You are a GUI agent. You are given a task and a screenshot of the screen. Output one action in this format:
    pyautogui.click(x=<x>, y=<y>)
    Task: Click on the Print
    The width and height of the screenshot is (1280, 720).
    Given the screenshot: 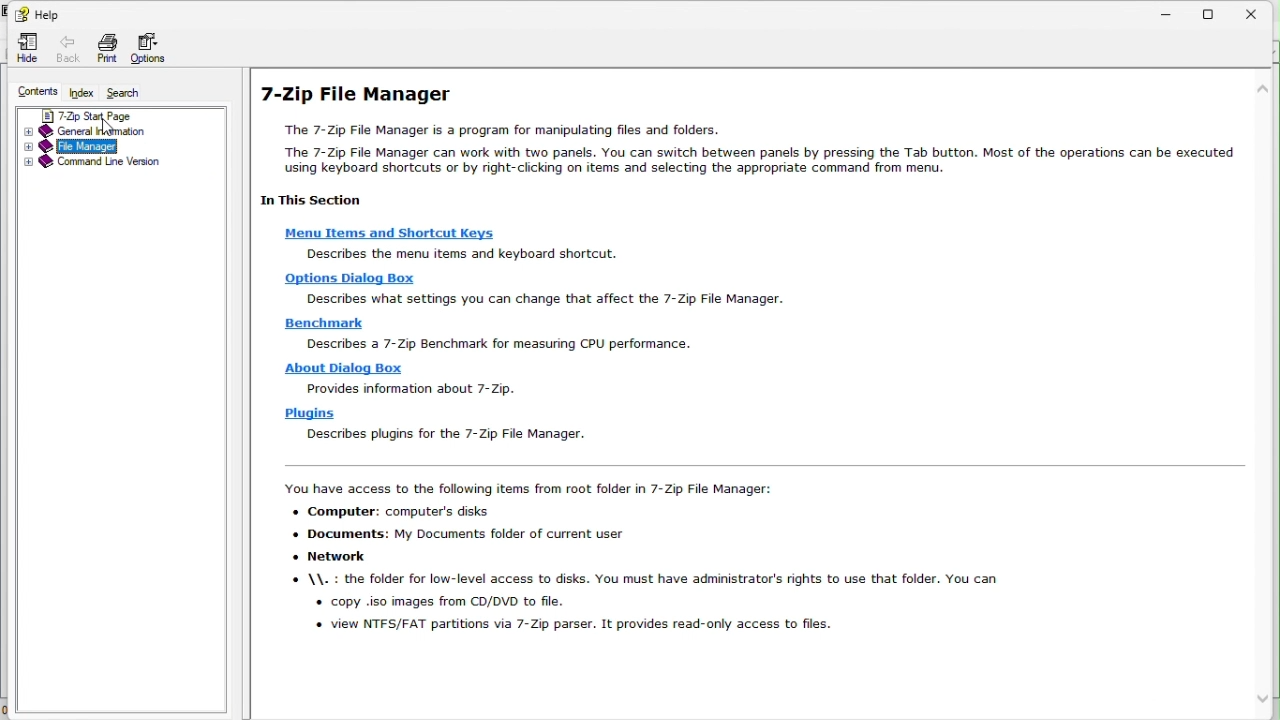 What is the action you would take?
    pyautogui.click(x=102, y=47)
    